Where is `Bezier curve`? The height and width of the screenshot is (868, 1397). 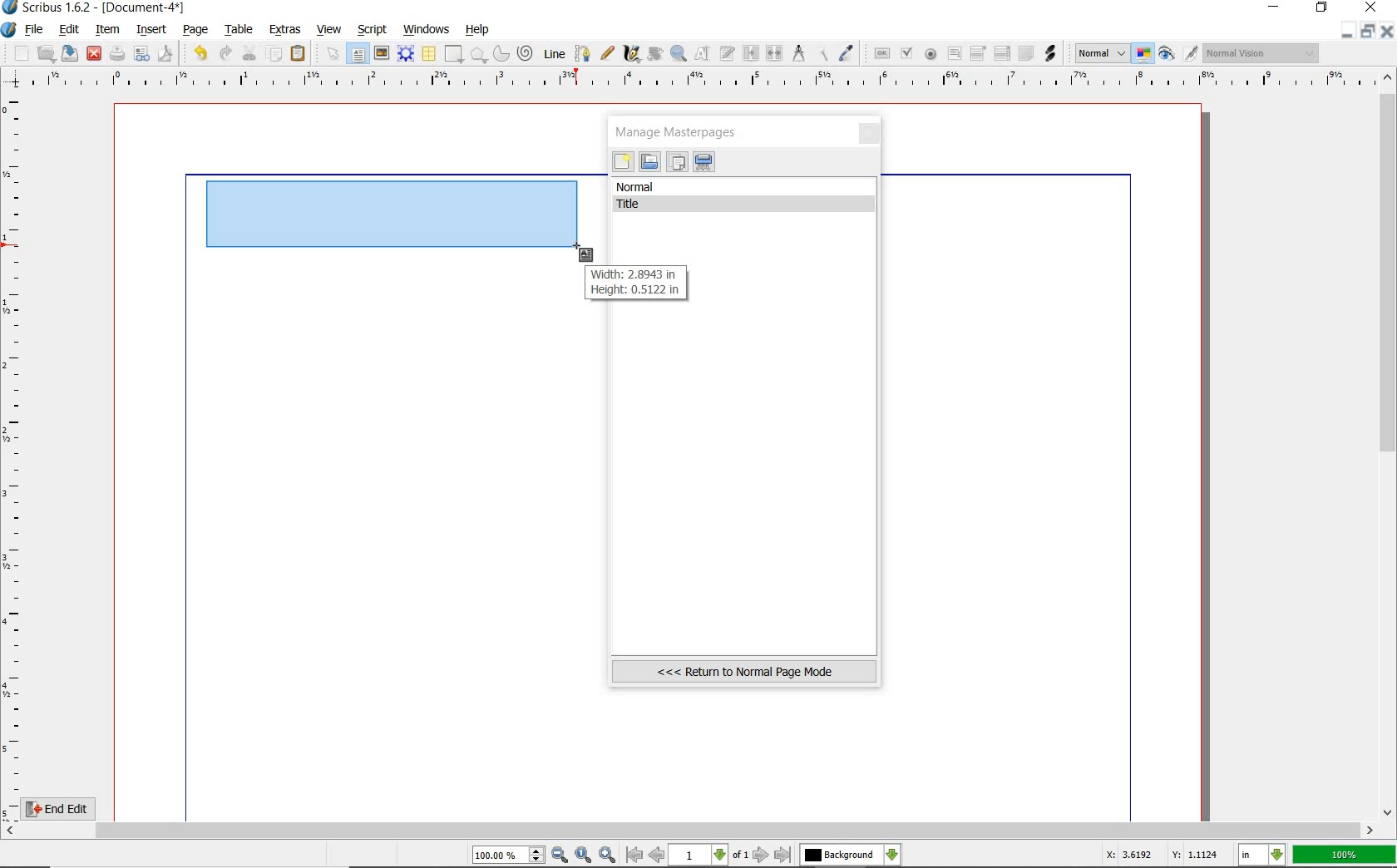 Bezier curve is located at coordinates (580, 53).